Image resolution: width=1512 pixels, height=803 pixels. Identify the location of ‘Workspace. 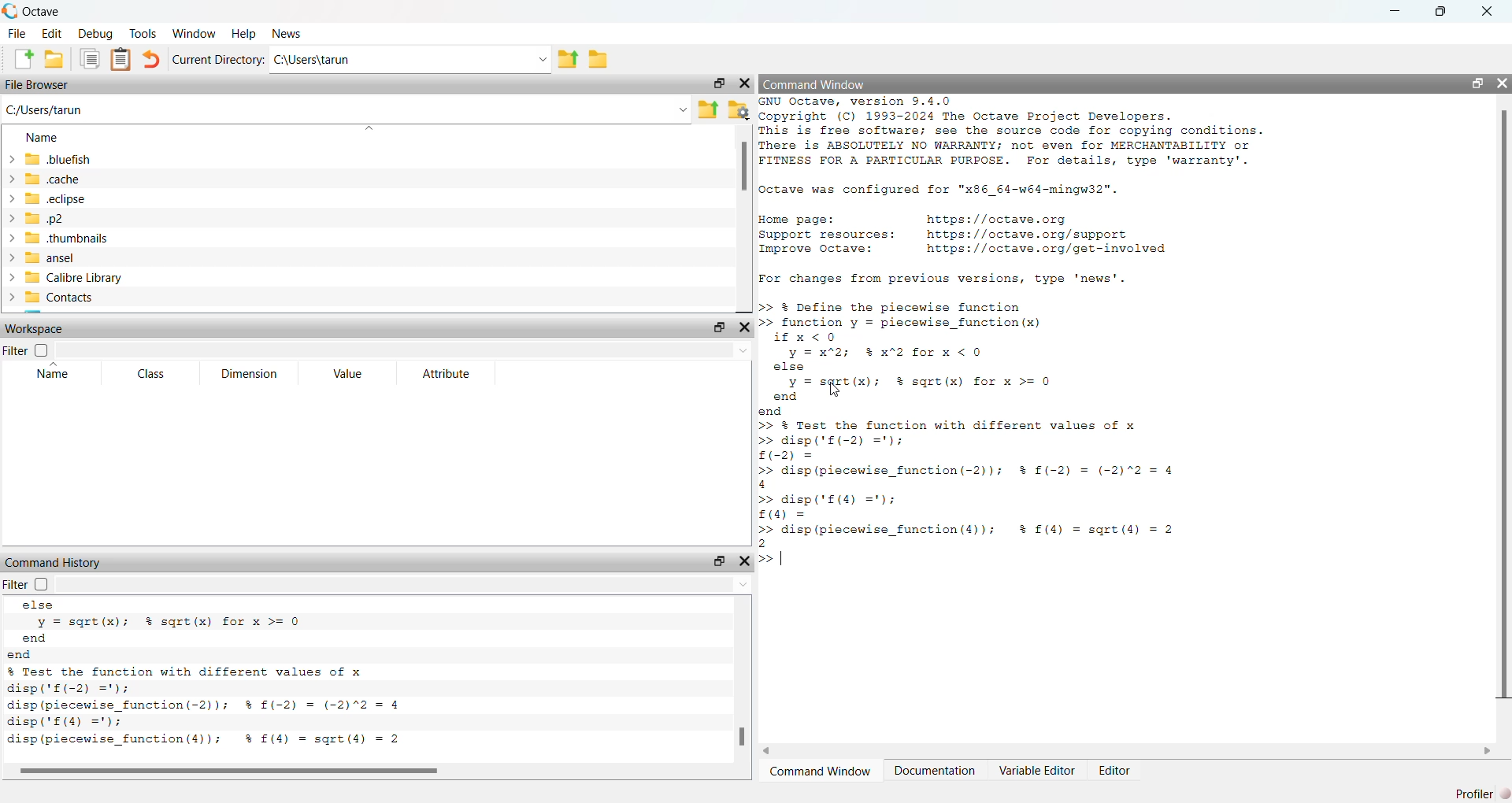
(39, 330).